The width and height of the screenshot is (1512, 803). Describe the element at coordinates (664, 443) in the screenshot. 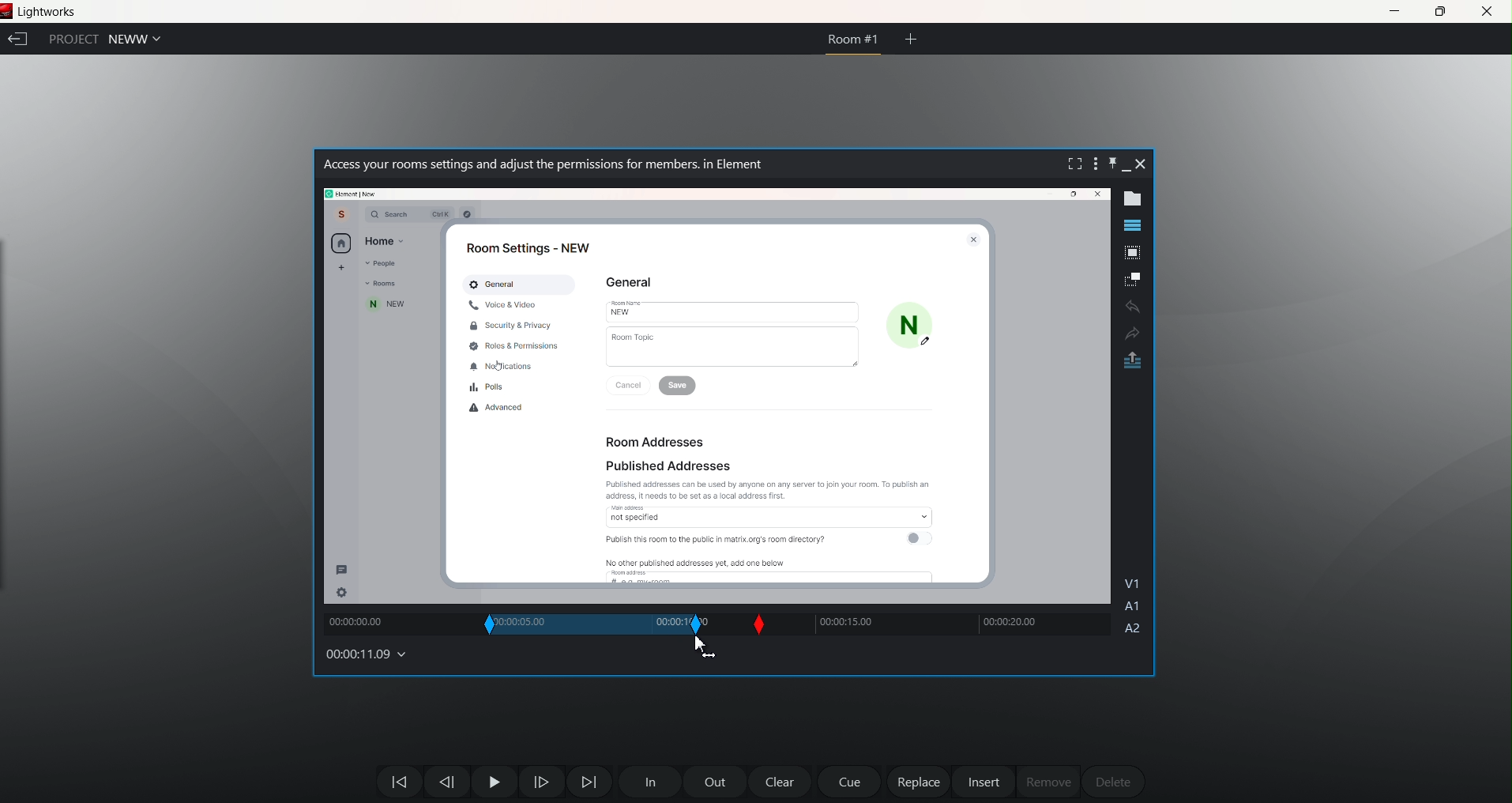

I see `Room Addresses` at that location.